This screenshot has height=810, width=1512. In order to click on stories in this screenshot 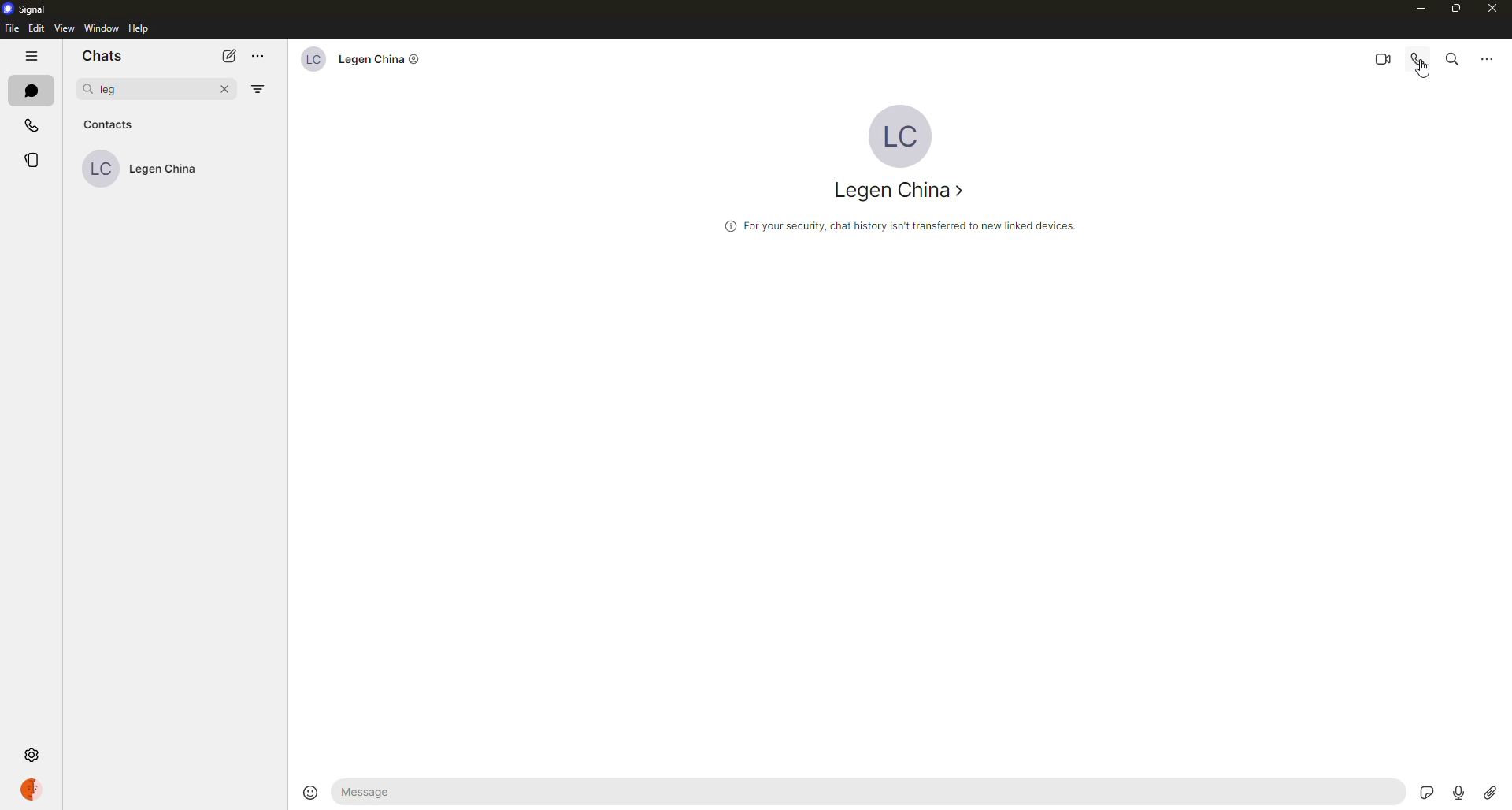, I will do `click(30, 158)`.